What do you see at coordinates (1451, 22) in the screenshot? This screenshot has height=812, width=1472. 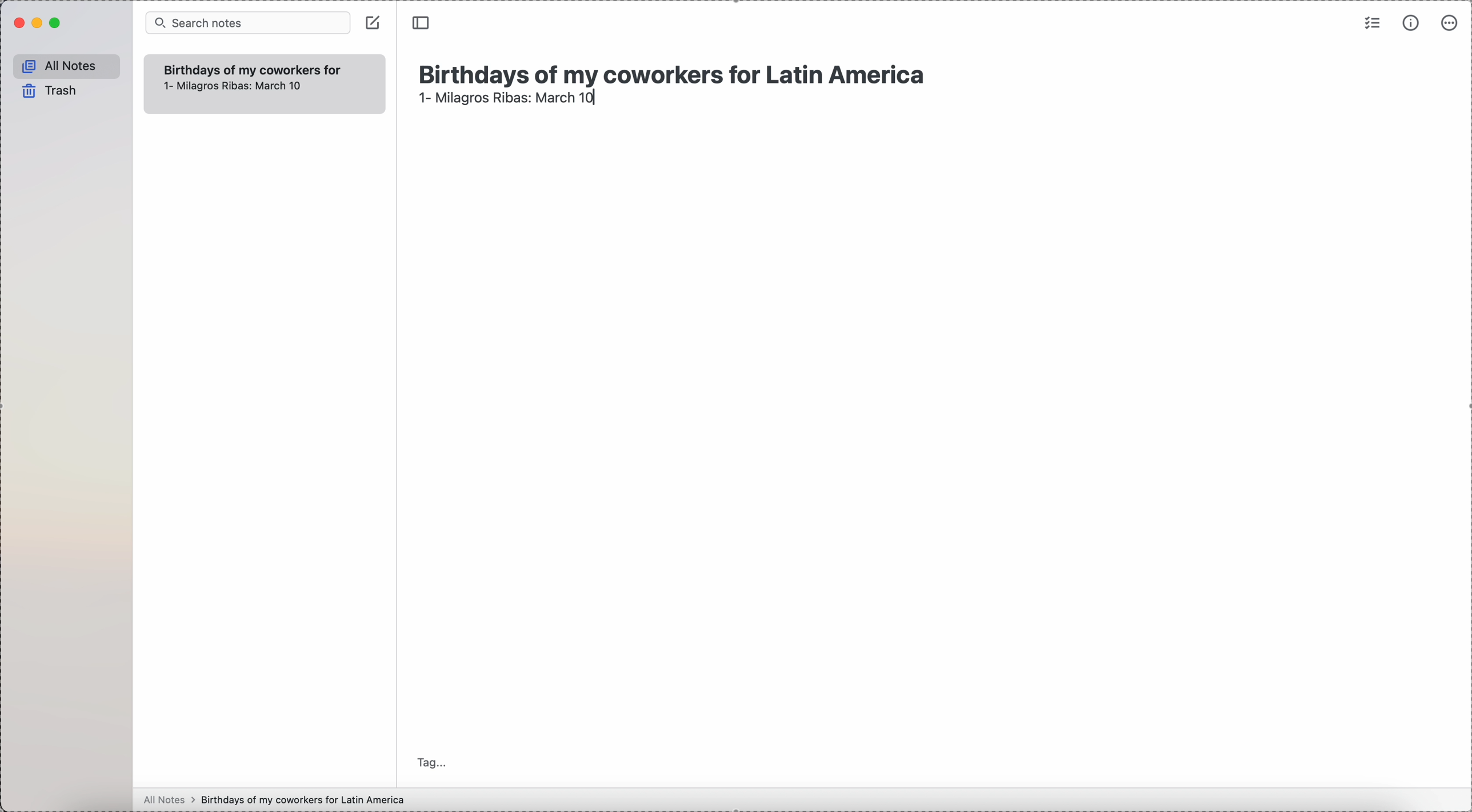 I see `more options` at bounding box center [1451, 22].